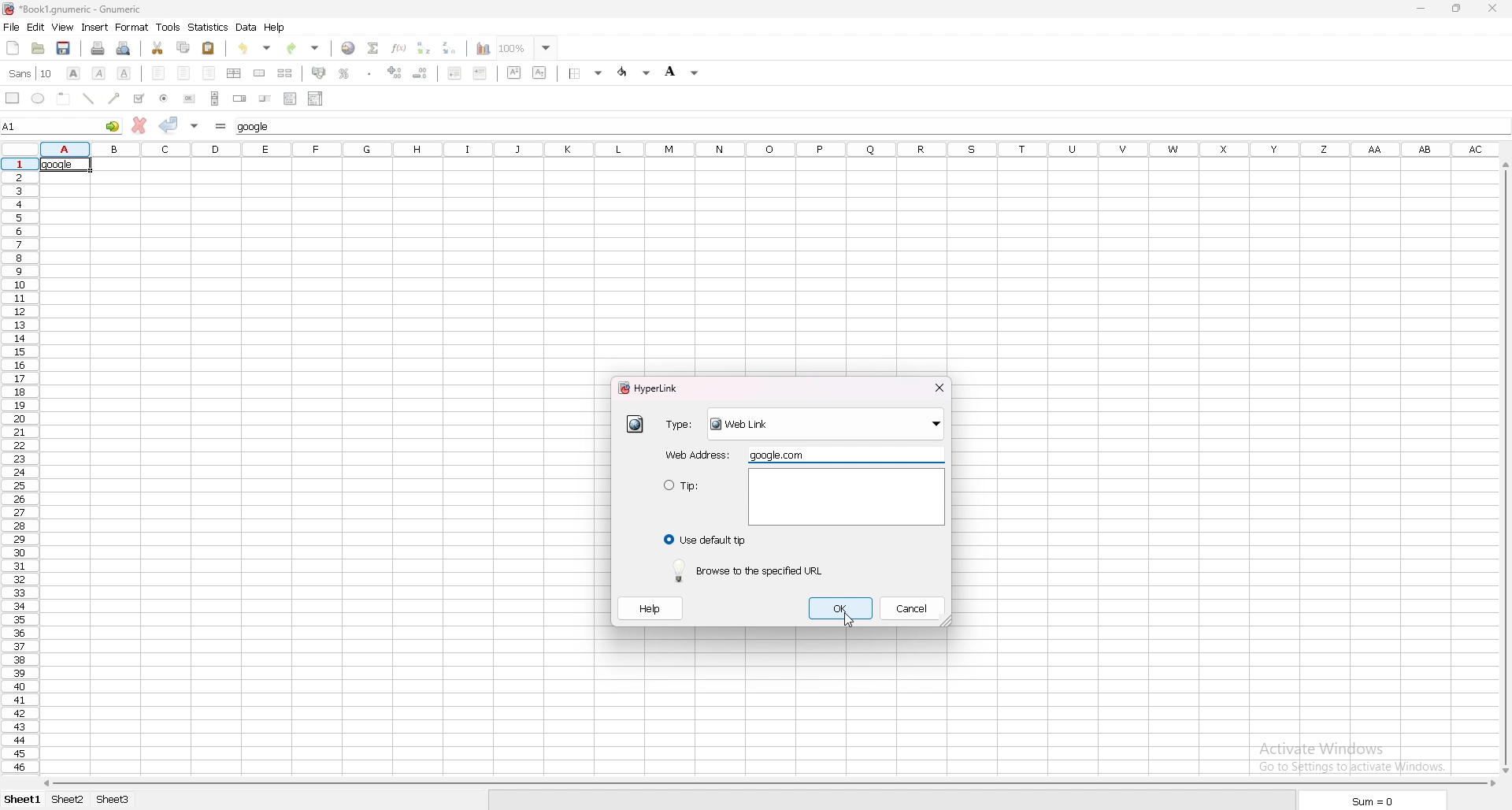  Describe the element at coordinates (938, 386) in the screenshot. I see `close` at that location.